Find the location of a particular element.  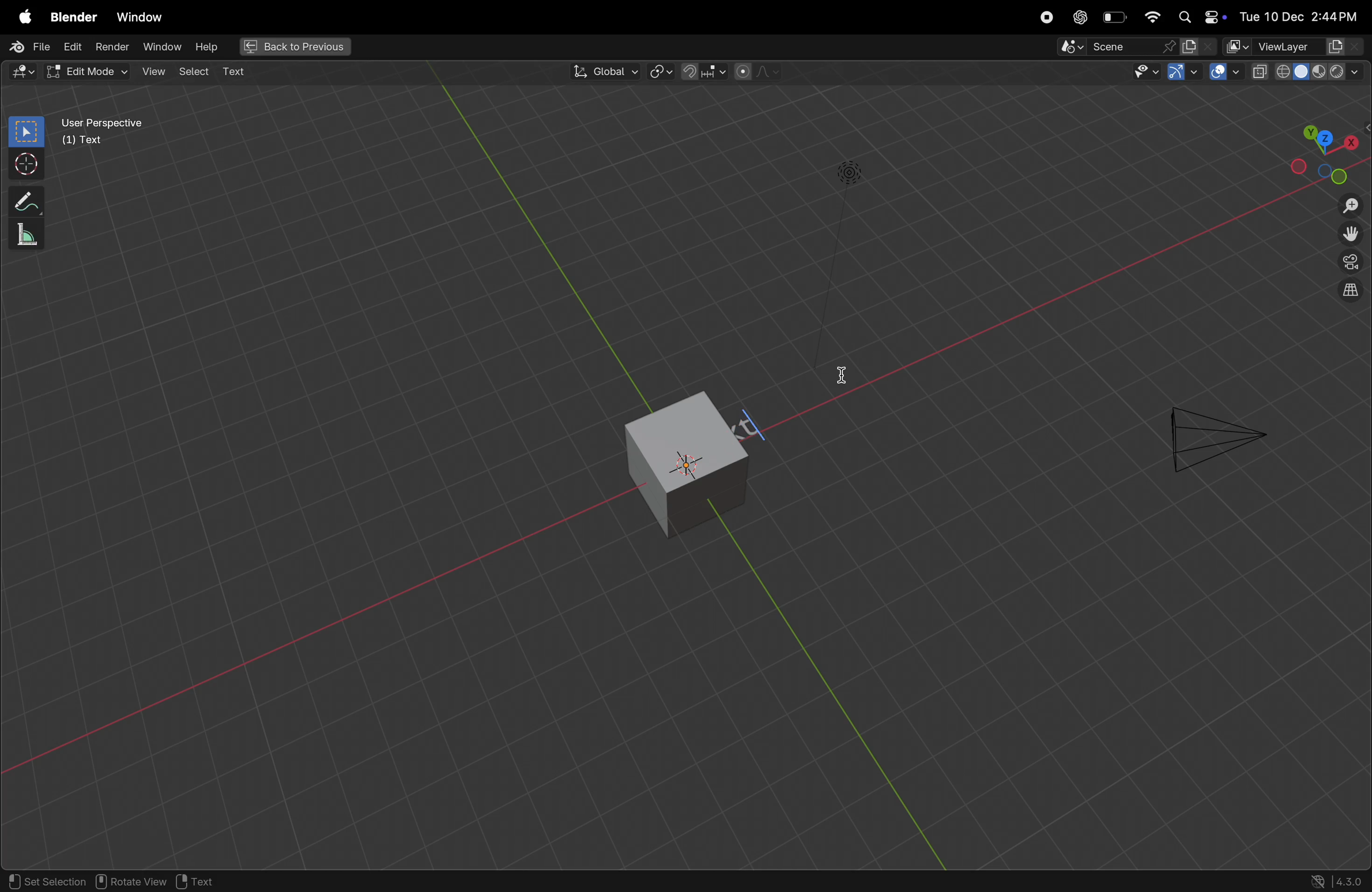

cursor is located at coordinates (845, 381).